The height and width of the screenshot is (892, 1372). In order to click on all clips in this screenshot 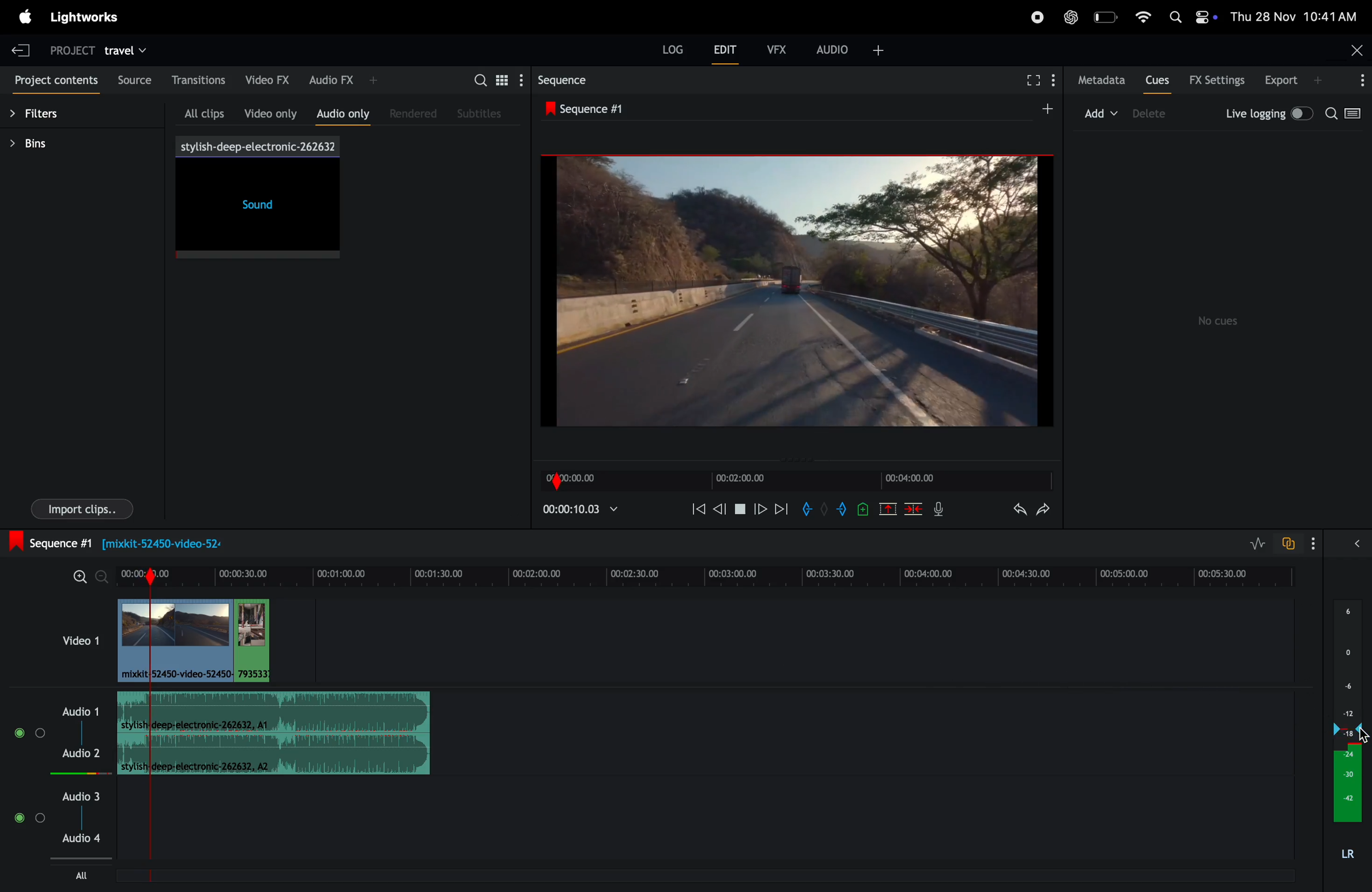, I will do `click(196, 111)`.